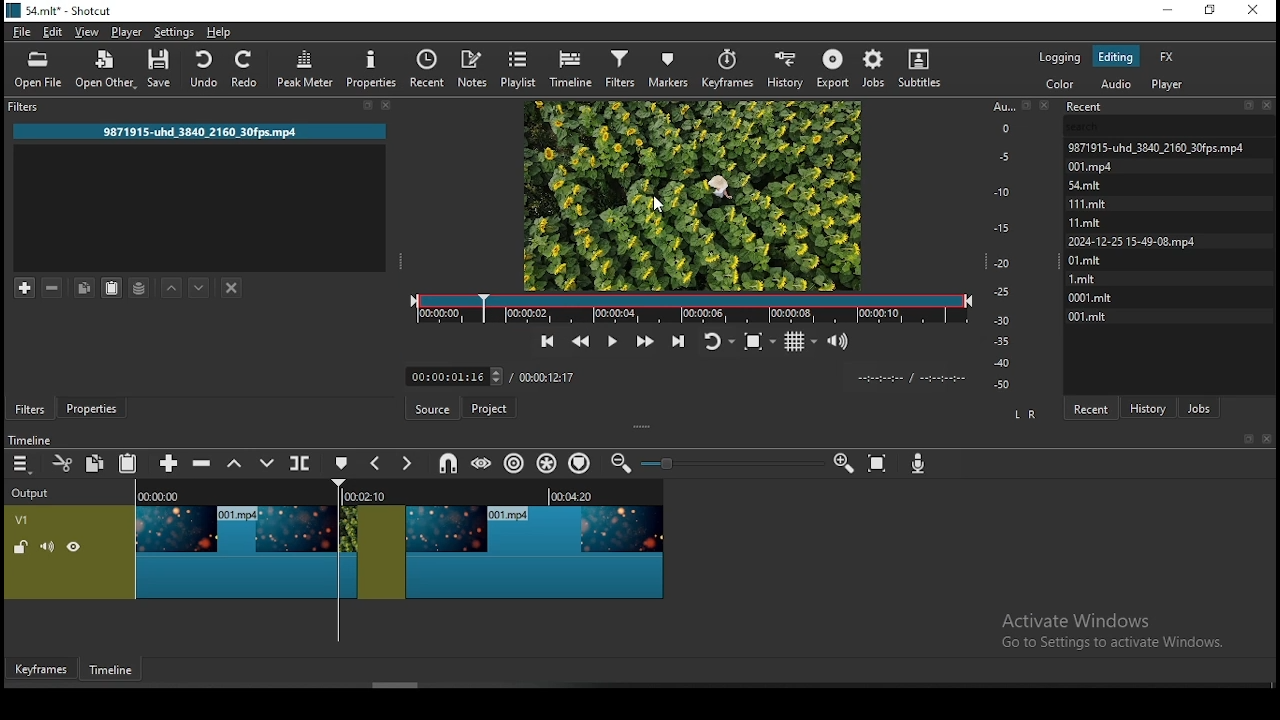 This screenshot has width=1280, height=720. What do you see at coordinates (127, 32) in the screenshot?
I see `player` at bounding box center [127, 32].